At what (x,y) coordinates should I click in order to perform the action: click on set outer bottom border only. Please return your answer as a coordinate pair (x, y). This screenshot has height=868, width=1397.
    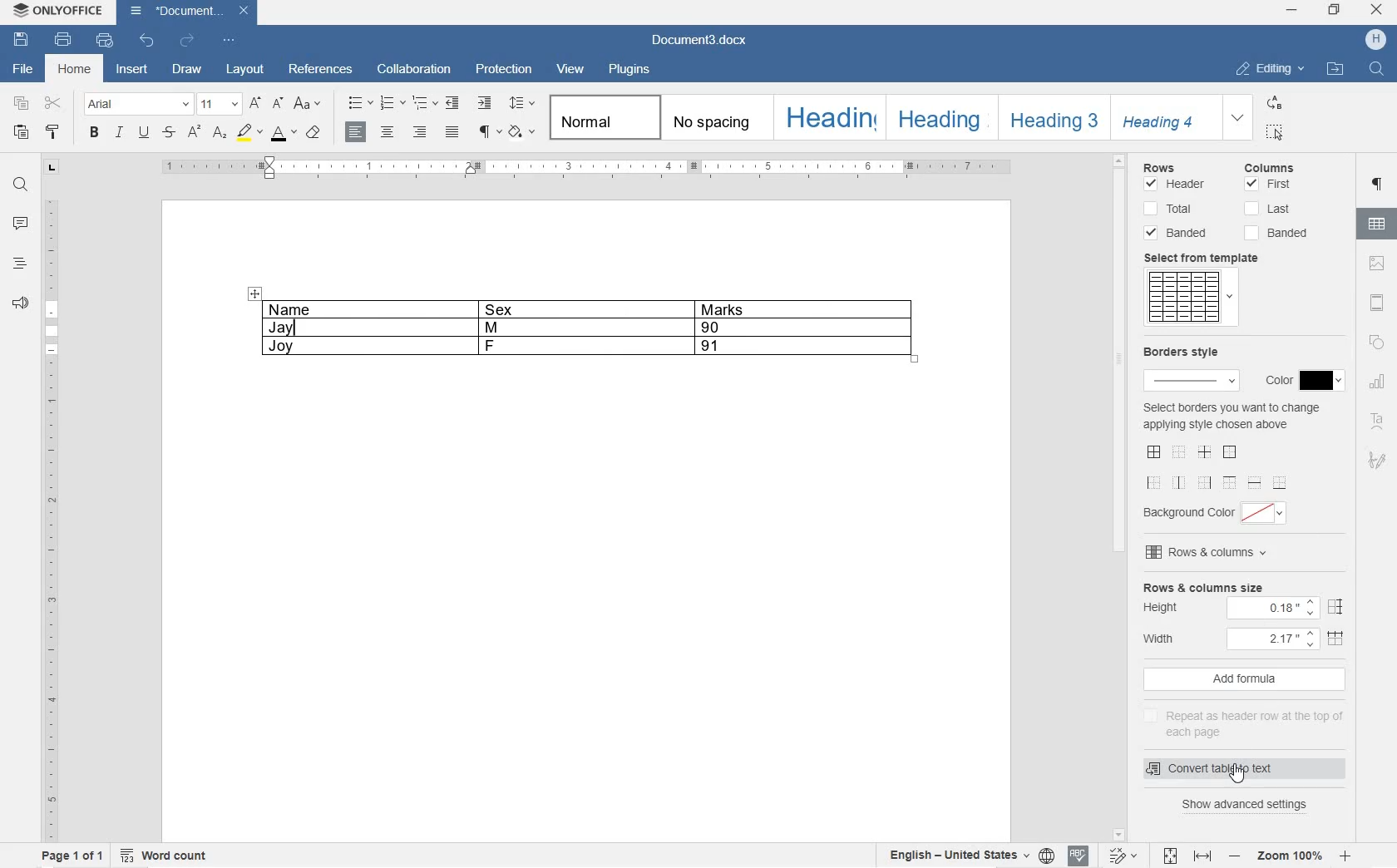
    Looking at the image, I should click on (1280, 483).